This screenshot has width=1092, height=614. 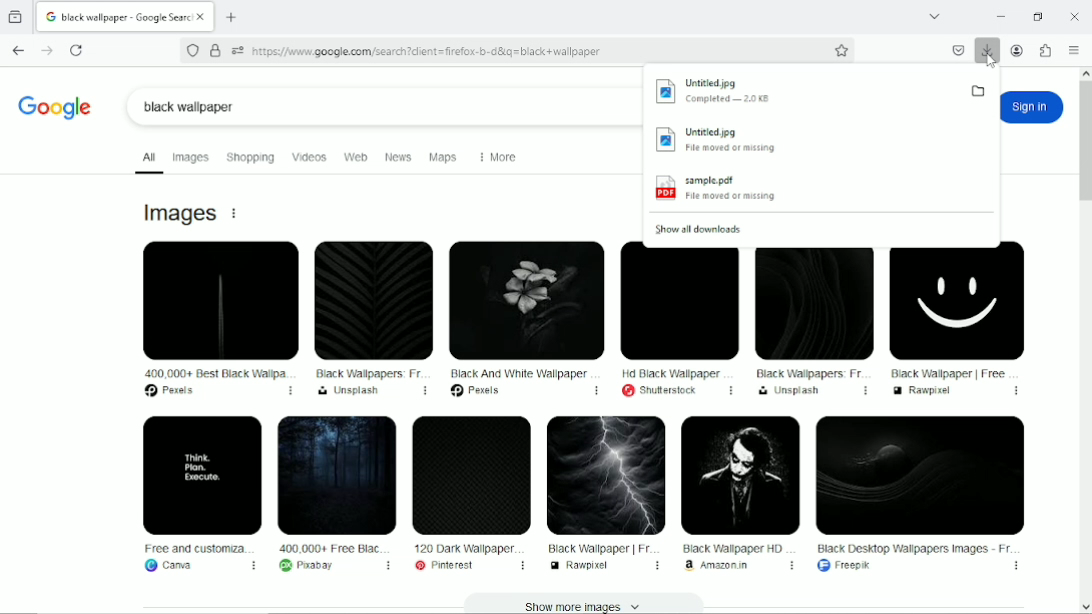 I want to click on 400,000+ Best Black Wallpa..., so click(x=214, y=318).